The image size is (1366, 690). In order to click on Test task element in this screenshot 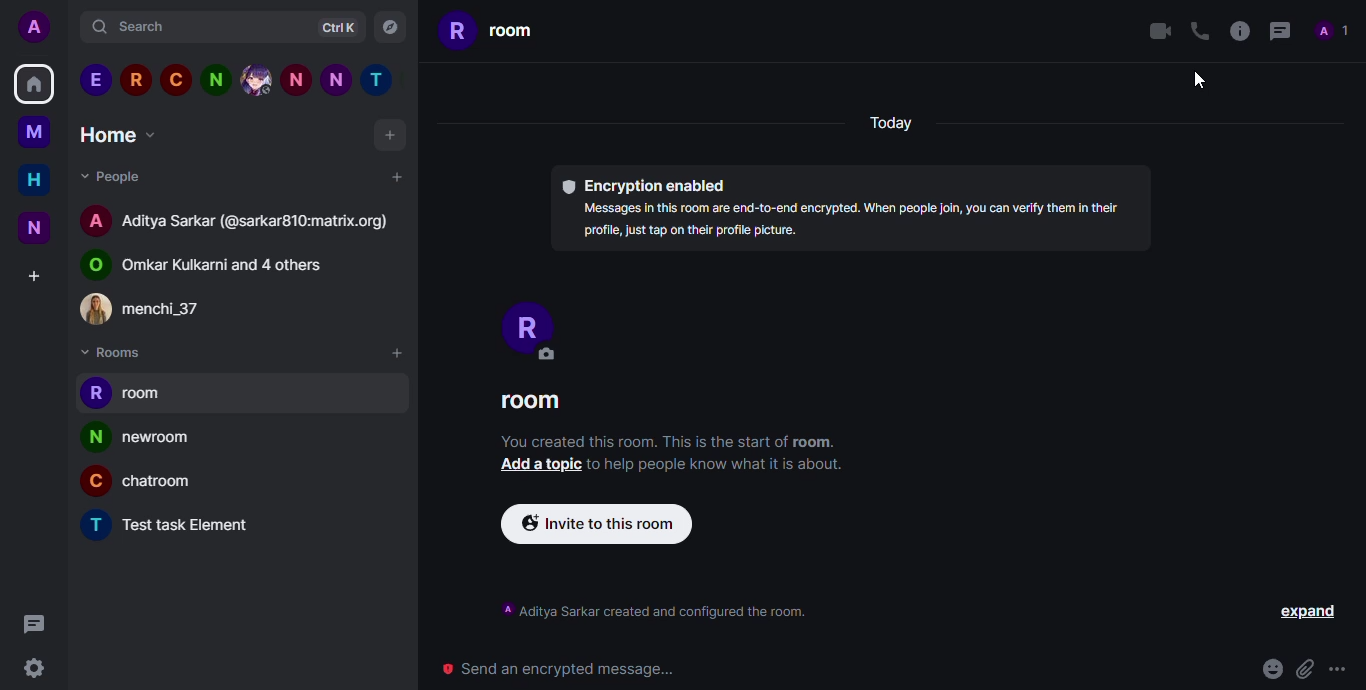, I will do `click(180, 527)`.